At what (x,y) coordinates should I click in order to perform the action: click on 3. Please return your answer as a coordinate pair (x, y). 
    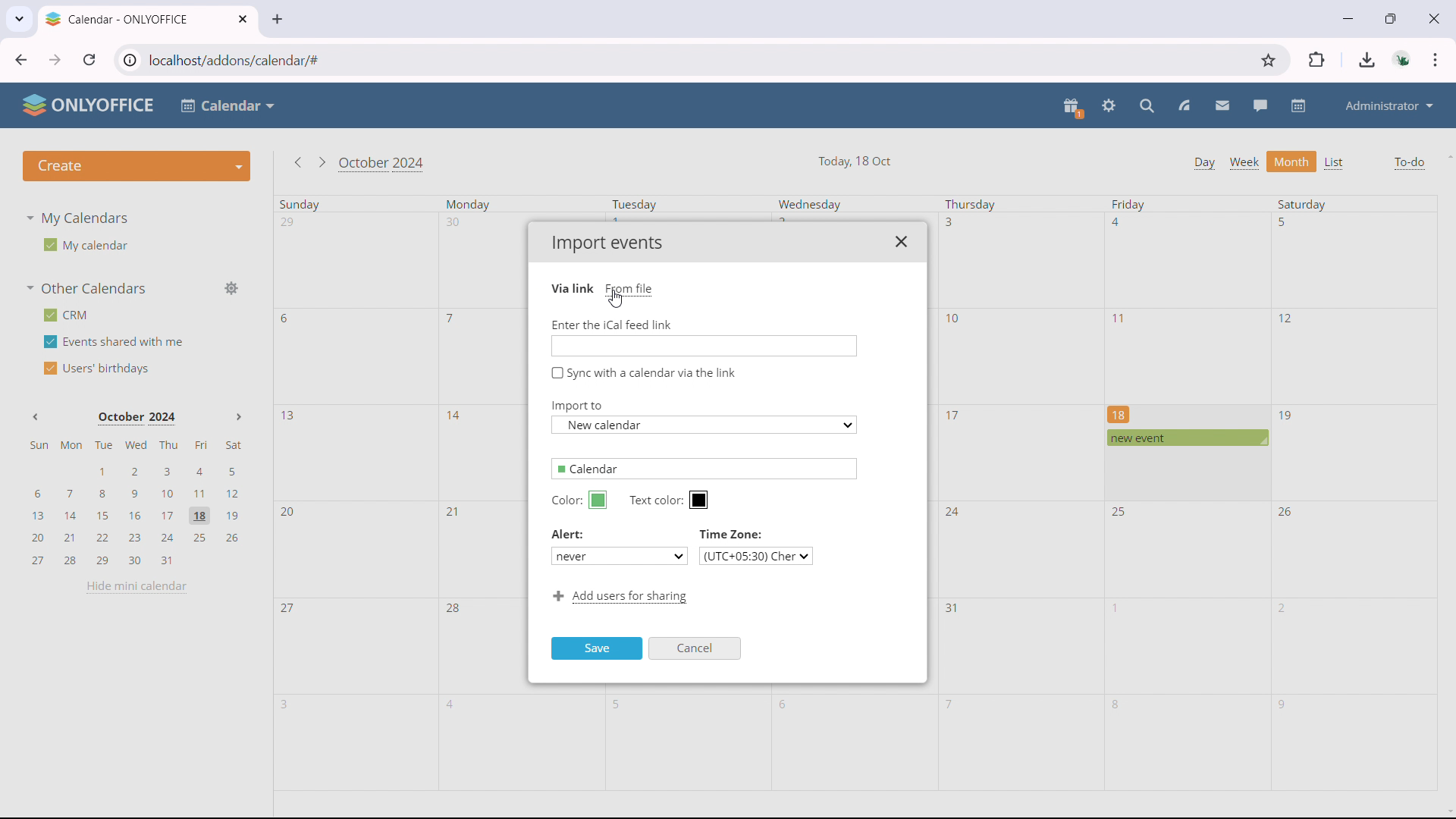
    Looking at the image, I should click on (288, 704).